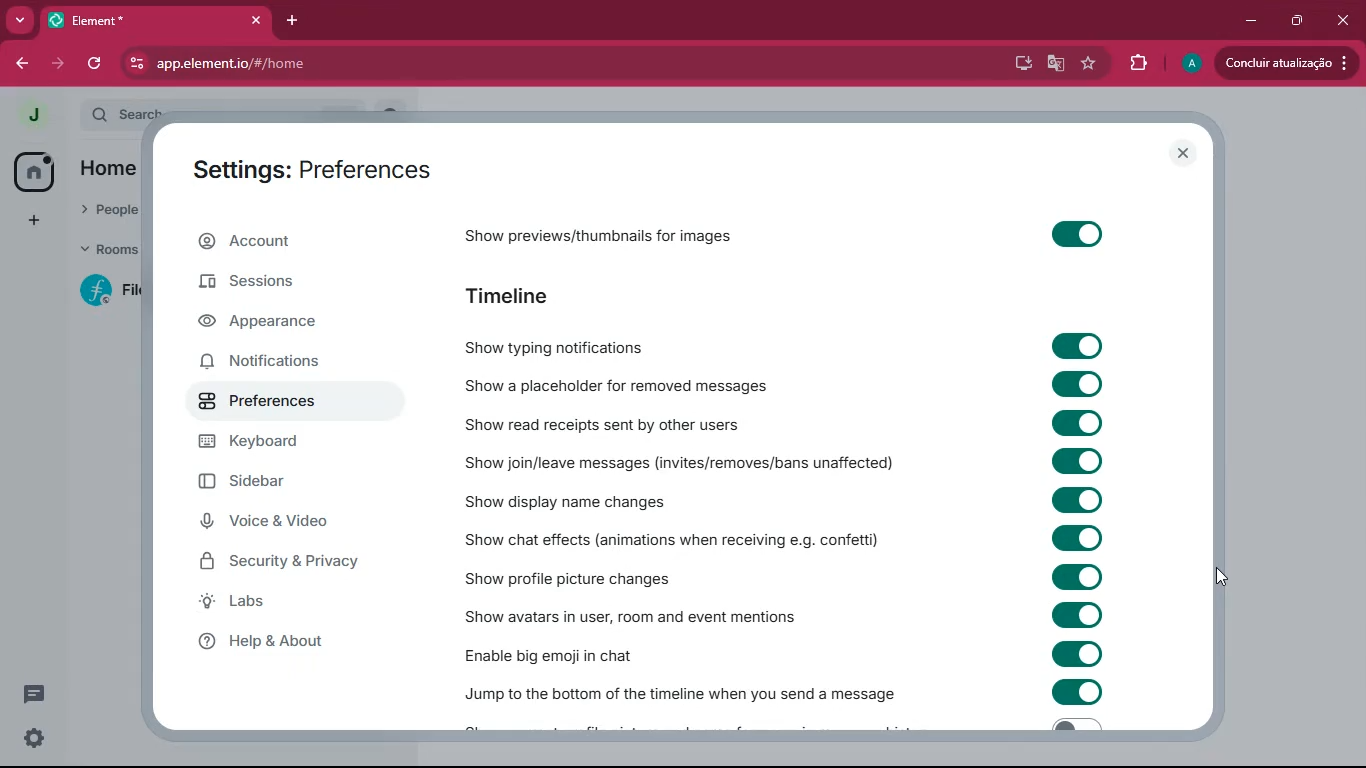 The image size is (1366, 768). I want to click on sessions, so click(288, 288).